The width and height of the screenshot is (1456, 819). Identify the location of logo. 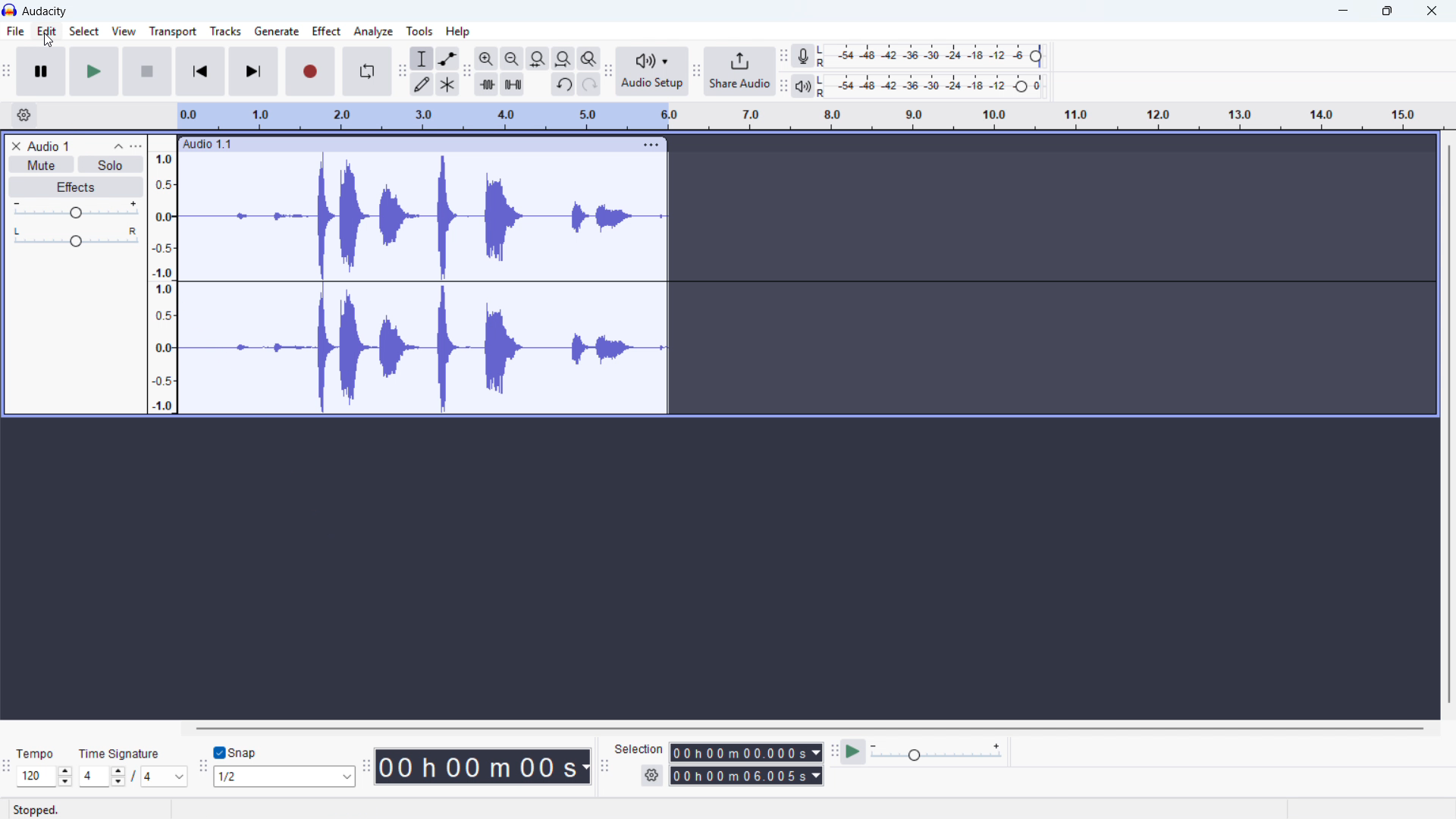
(11, 10).